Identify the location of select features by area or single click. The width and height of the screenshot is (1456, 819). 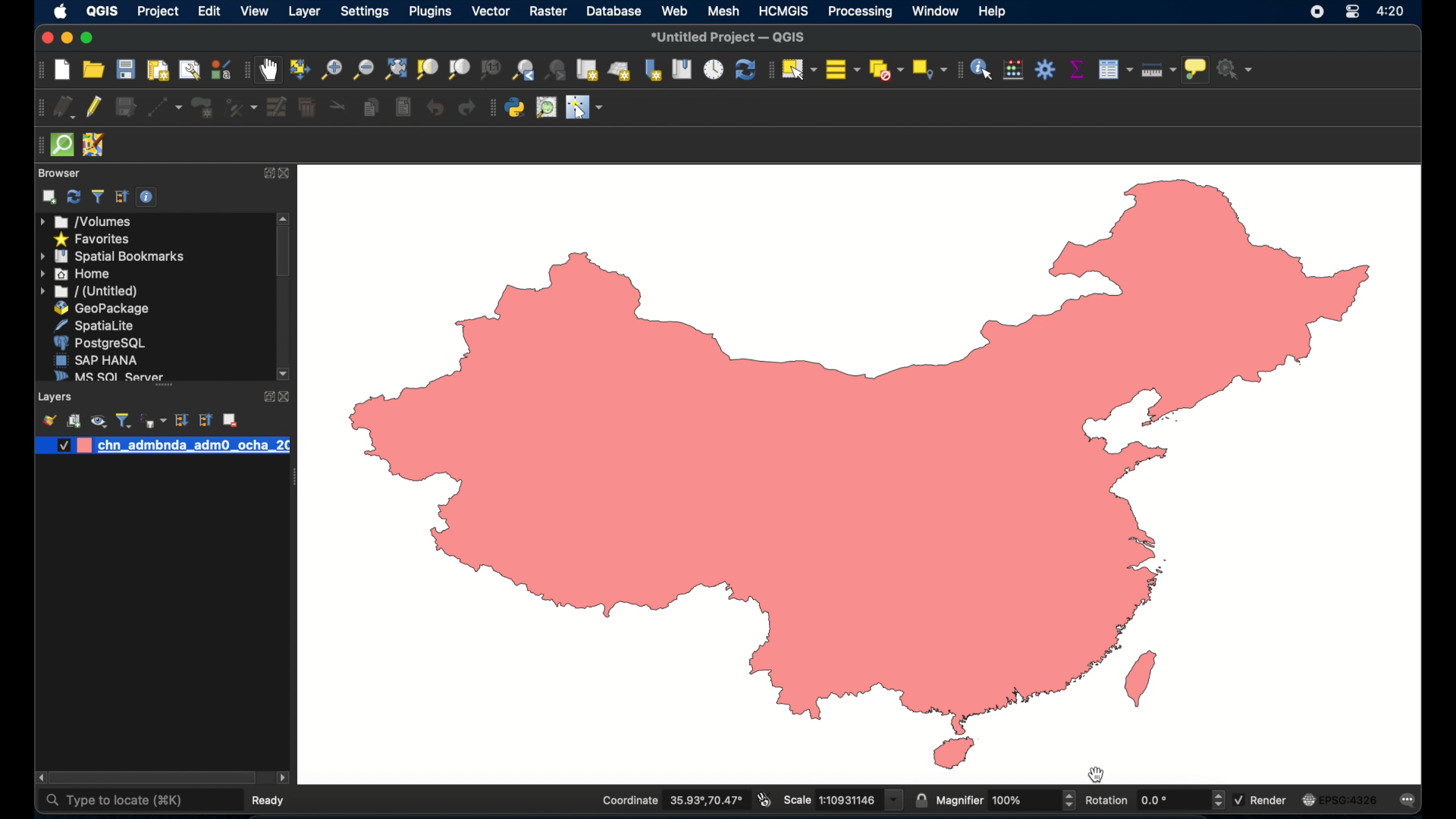
(799, 68).